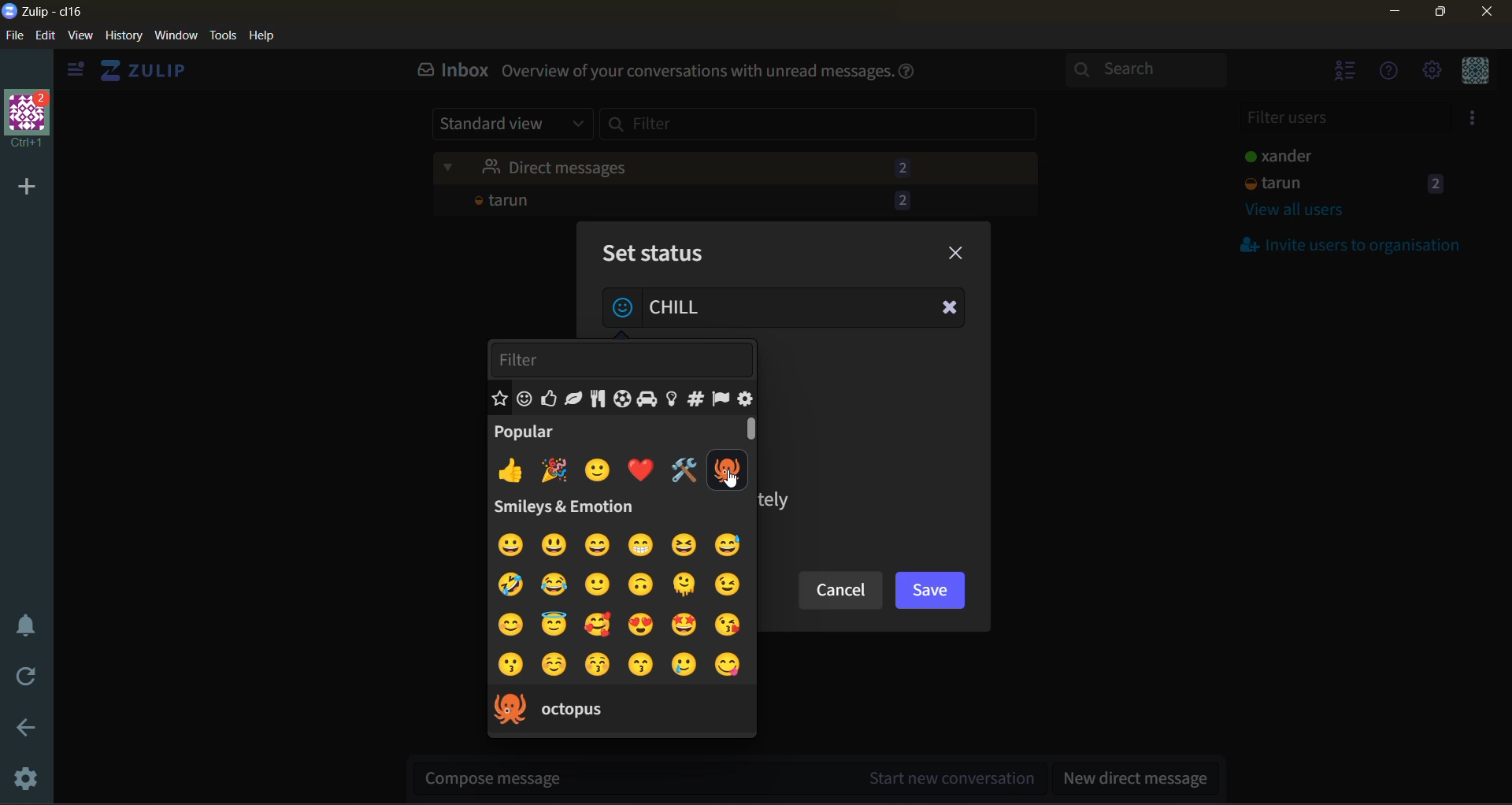 The image size is (1512, 805). I want to click on maximize, so click(1440, 14).